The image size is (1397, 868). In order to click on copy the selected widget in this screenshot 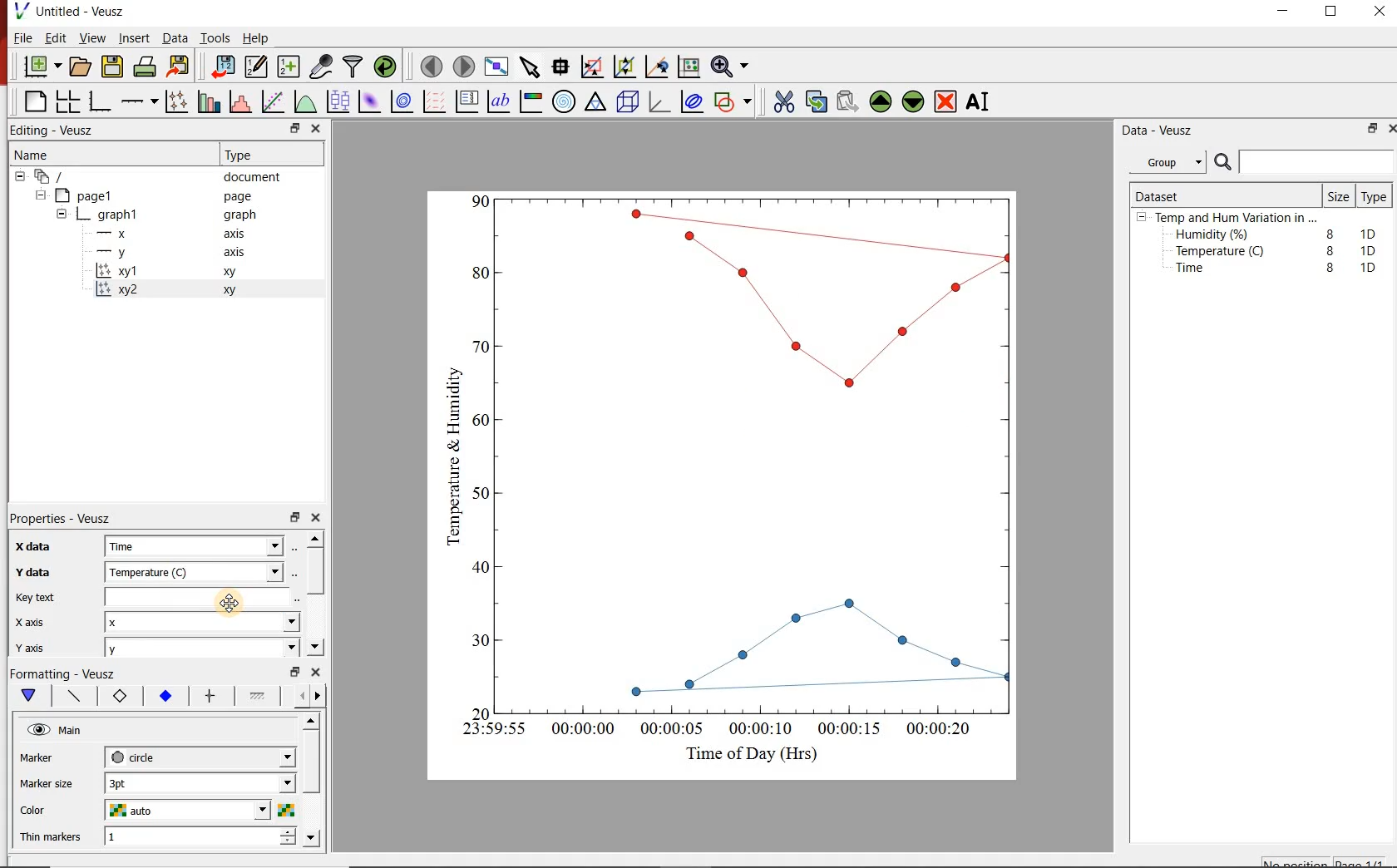, I will do `click(816, 101)`.